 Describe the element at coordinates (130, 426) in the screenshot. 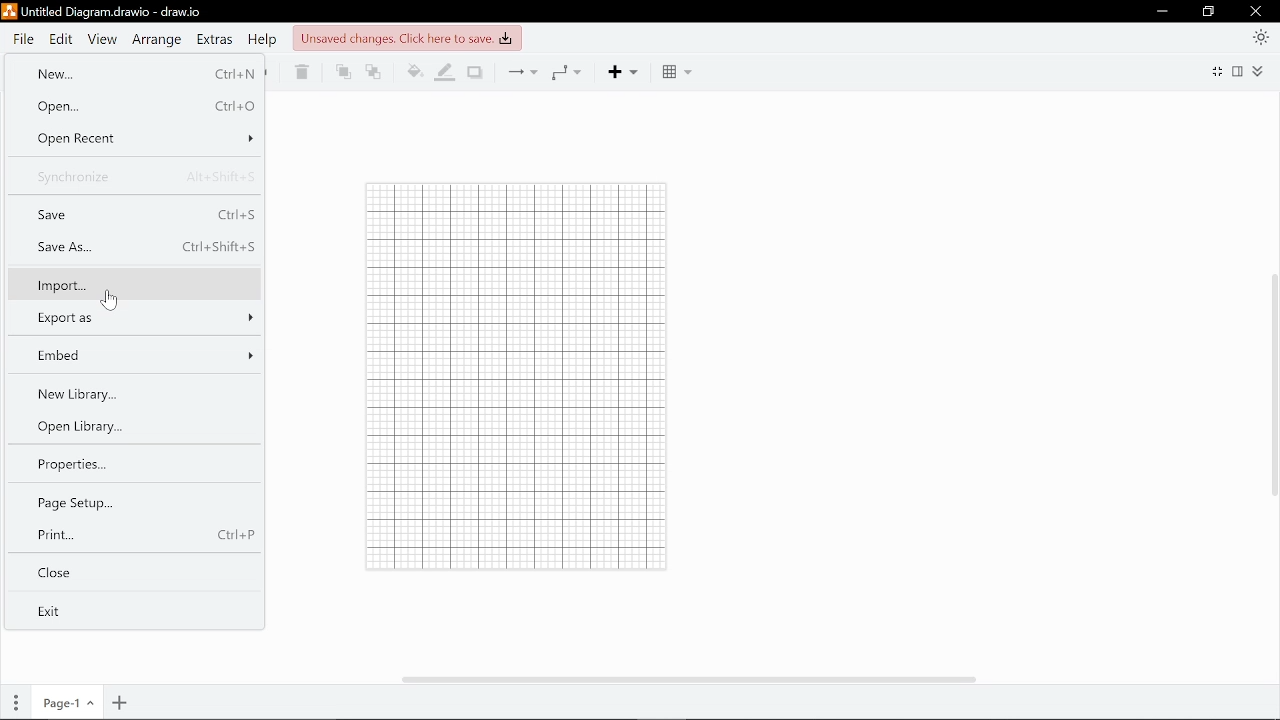

I see `Open library` at that location.